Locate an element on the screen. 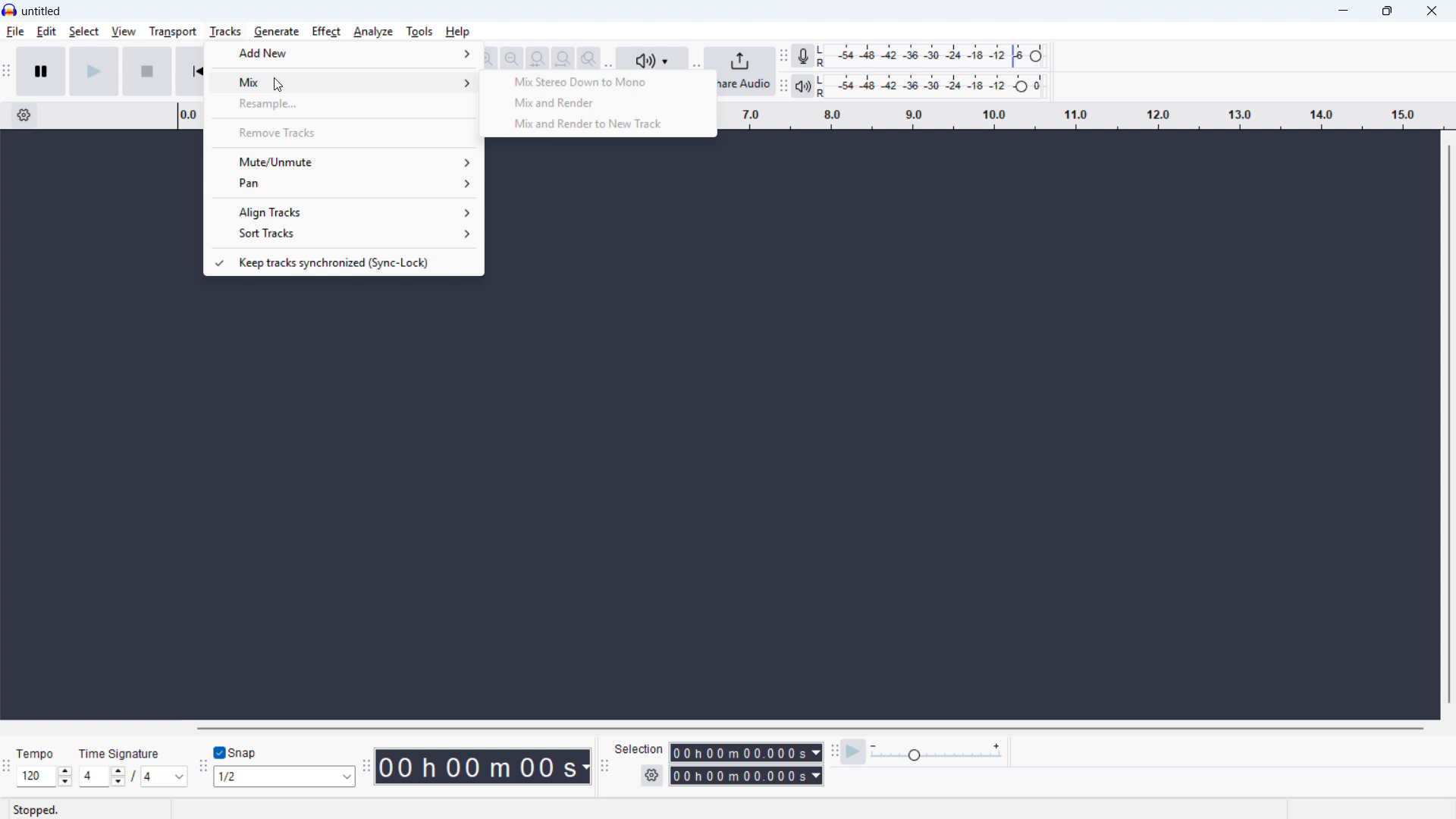  Keep tracks synchronised  is located at coordinates (341, 262).